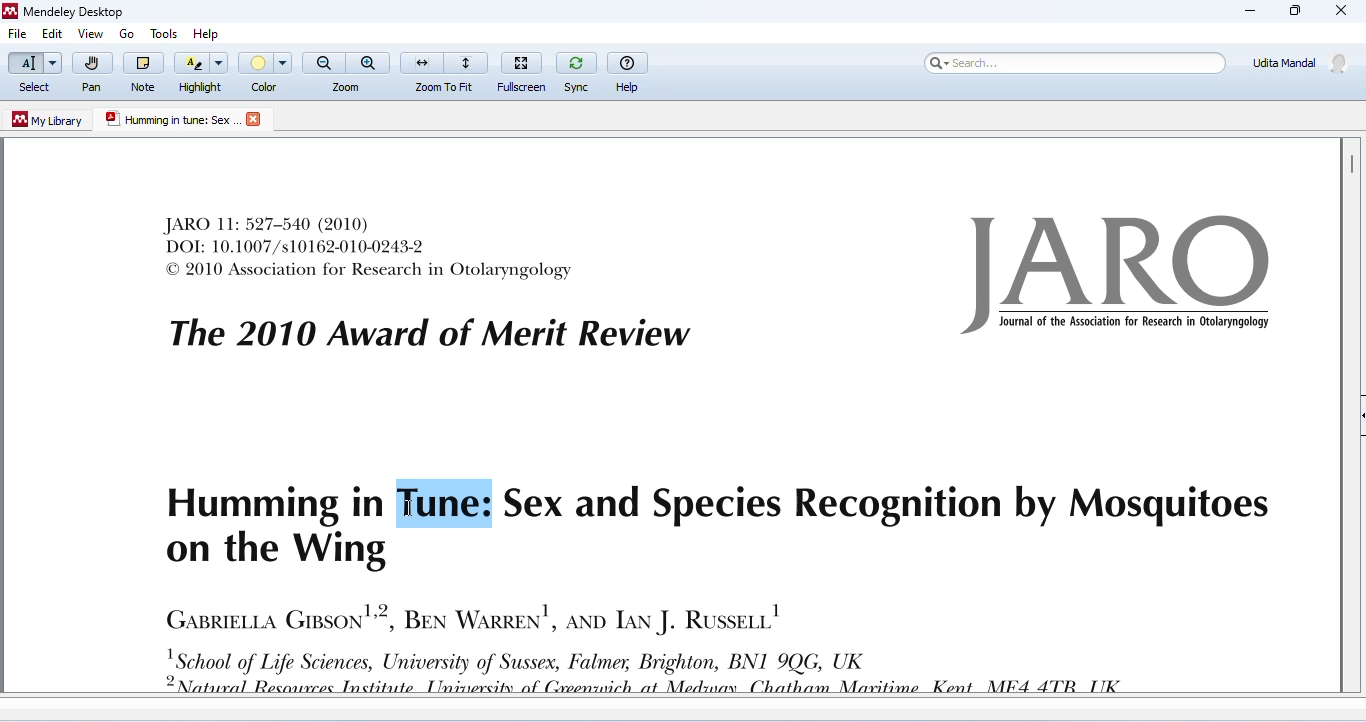  What do you see at coordinates (211, 30) in the screenshot?
I see `help` at bounding box center [211, 30].